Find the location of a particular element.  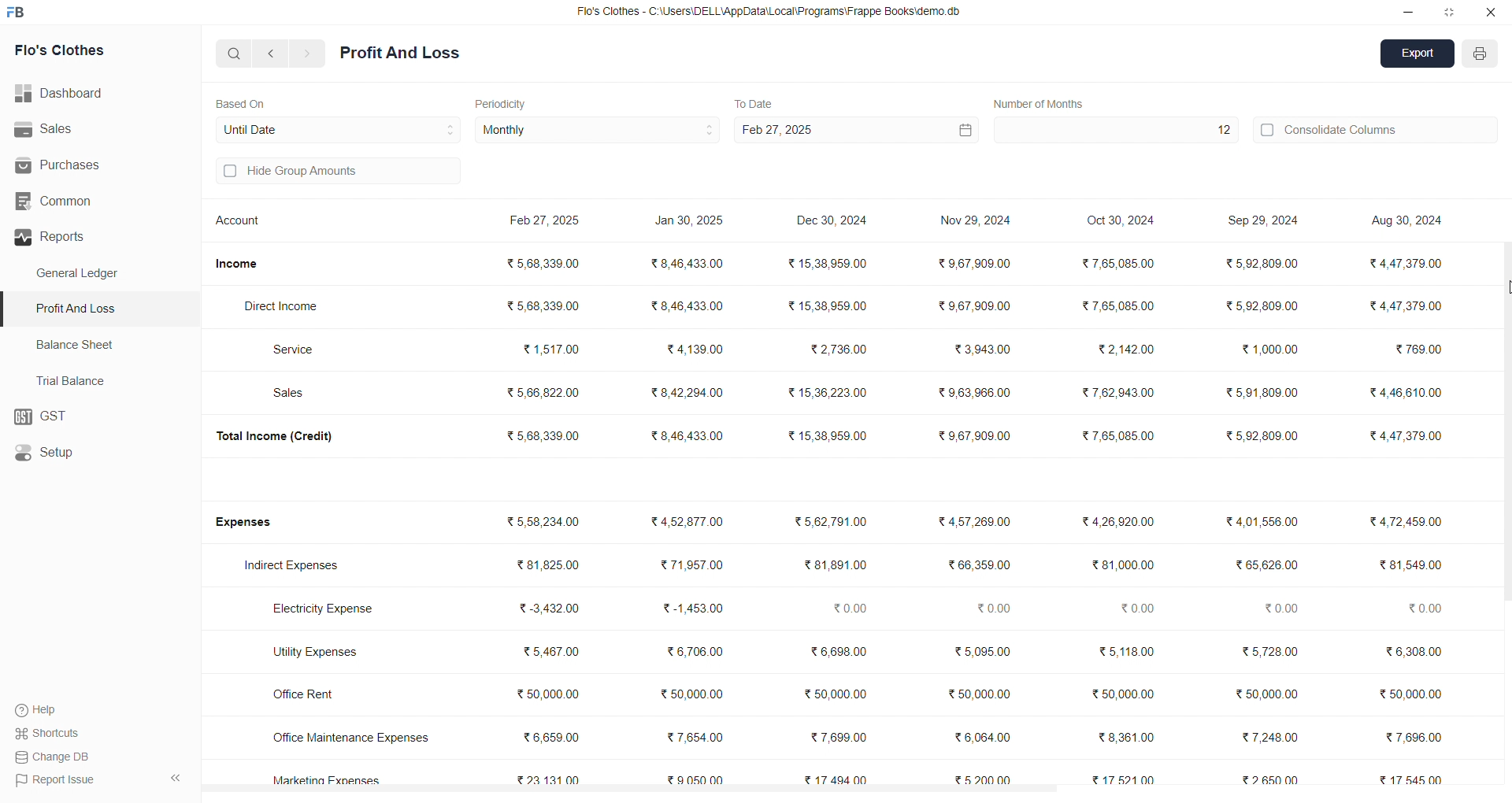

Balance Sheet is located at coordinates (77, 343).